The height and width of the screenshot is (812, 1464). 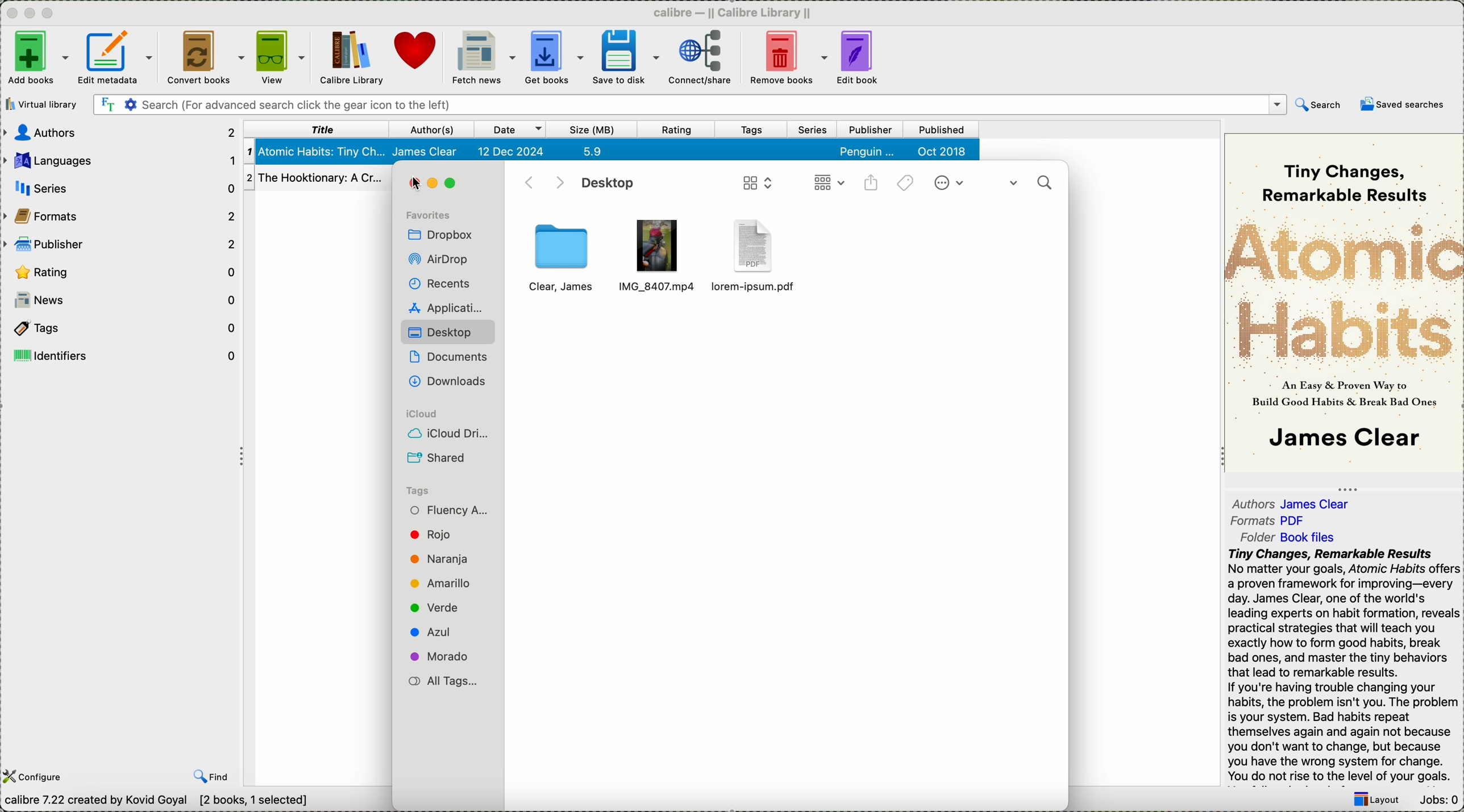 What do you see at coordinates (788, 57) in the screenshot?
I see `remove books` at bounding box center [788, 57].